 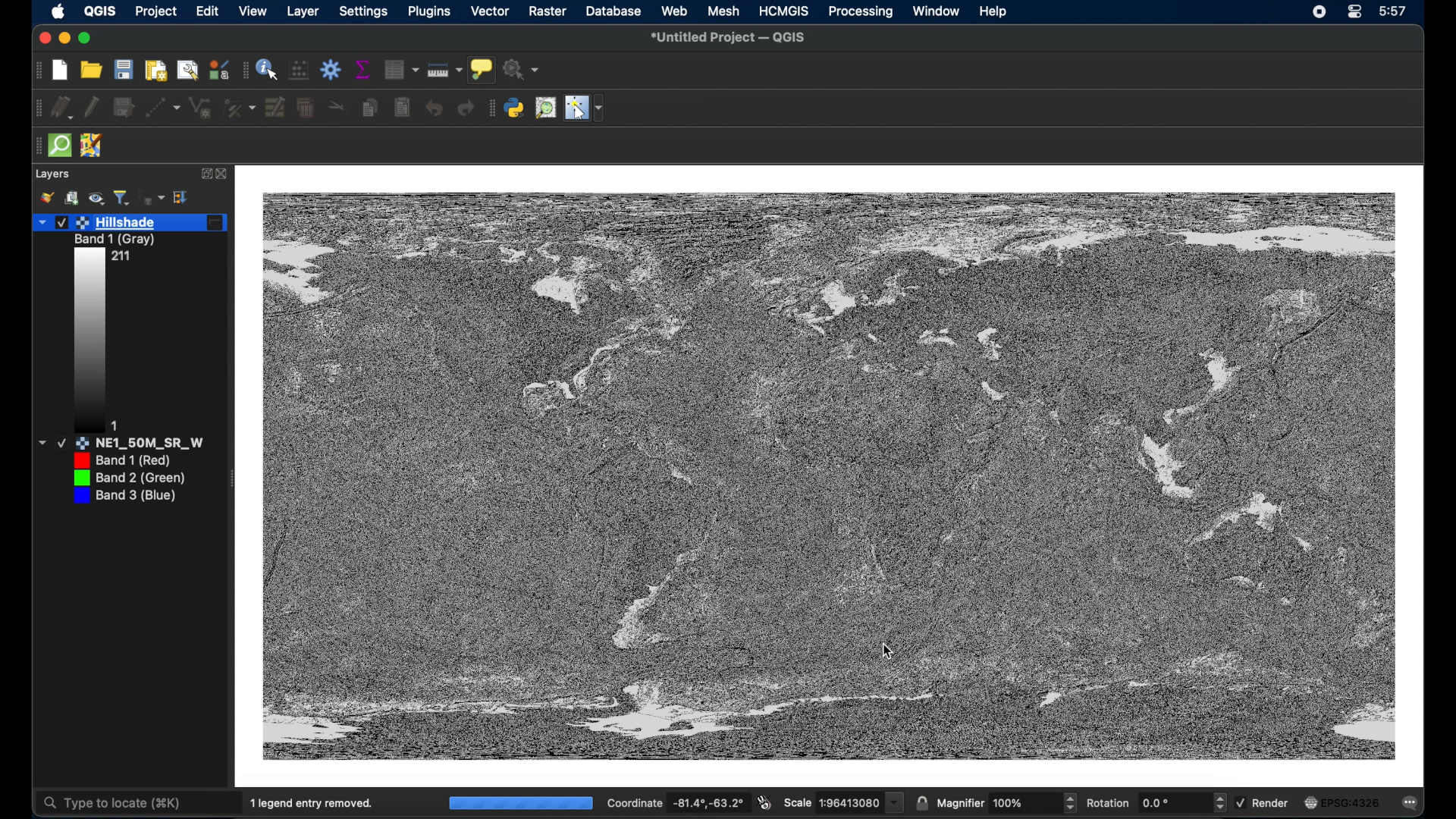 I want to click on no action selected , so click(x=522, y=70).